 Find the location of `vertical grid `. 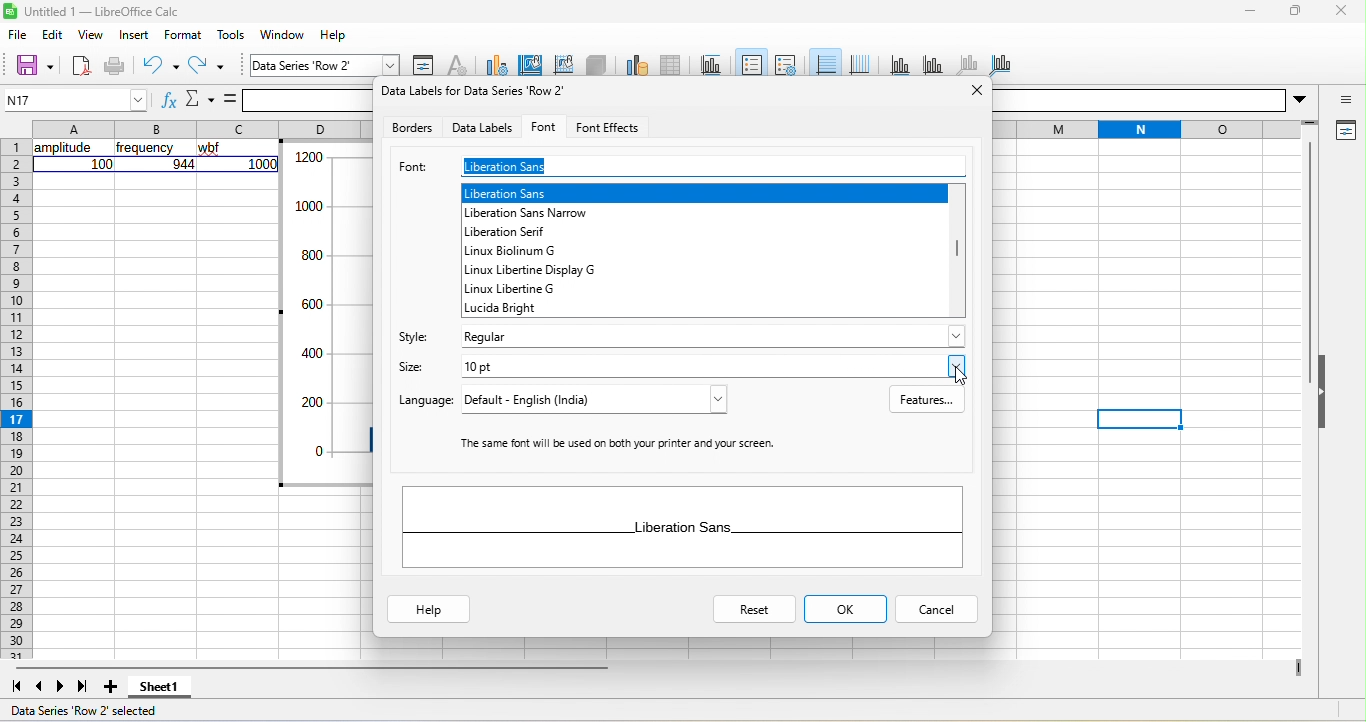

vertical grid  is located at coordinates (864, 59).